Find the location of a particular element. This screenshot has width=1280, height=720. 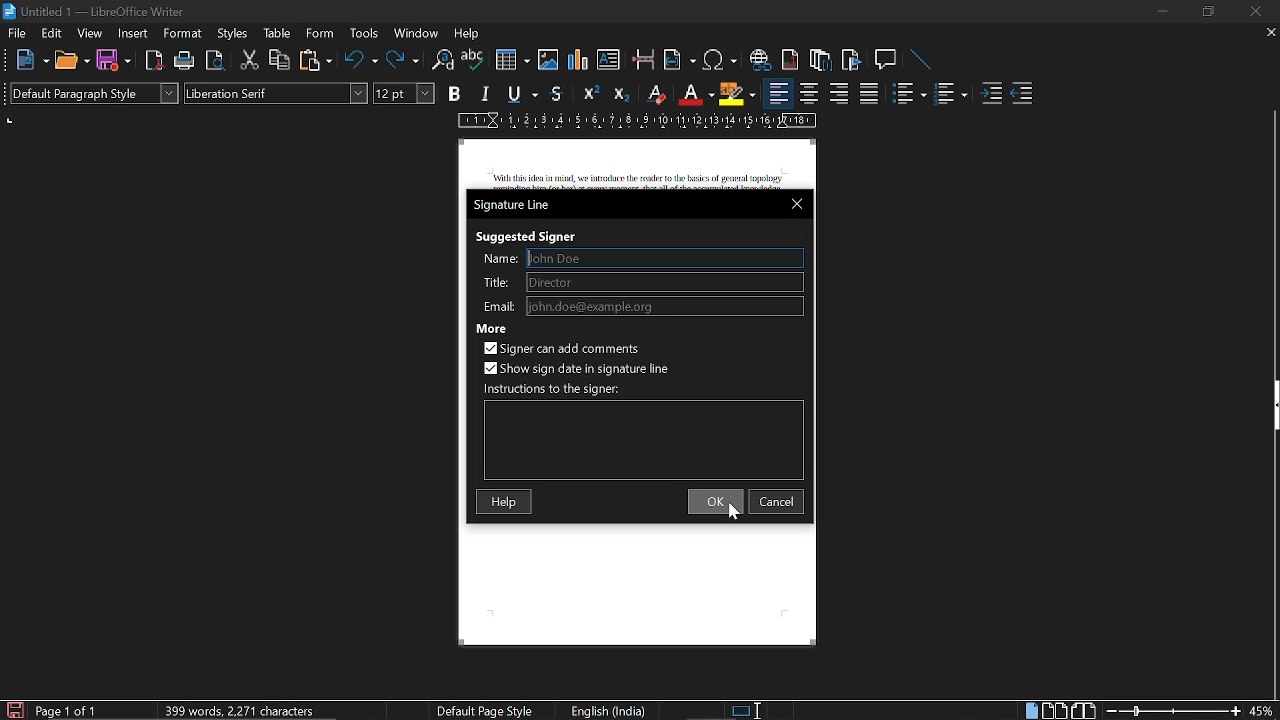

insert chart is located at coordinates (579, 60).